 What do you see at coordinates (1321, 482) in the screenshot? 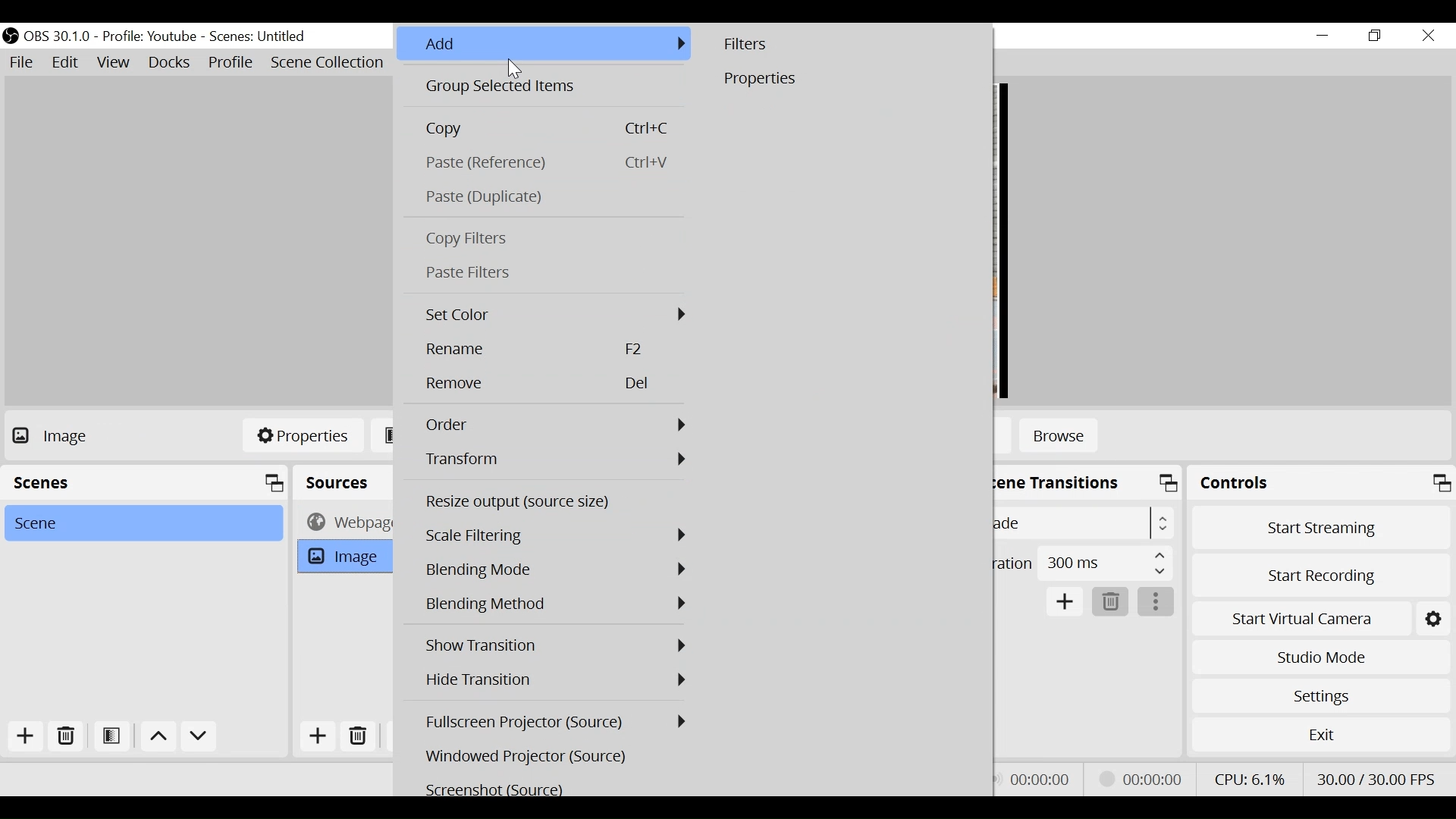
I see `Control Panel` at bounding box center [1321, 482].